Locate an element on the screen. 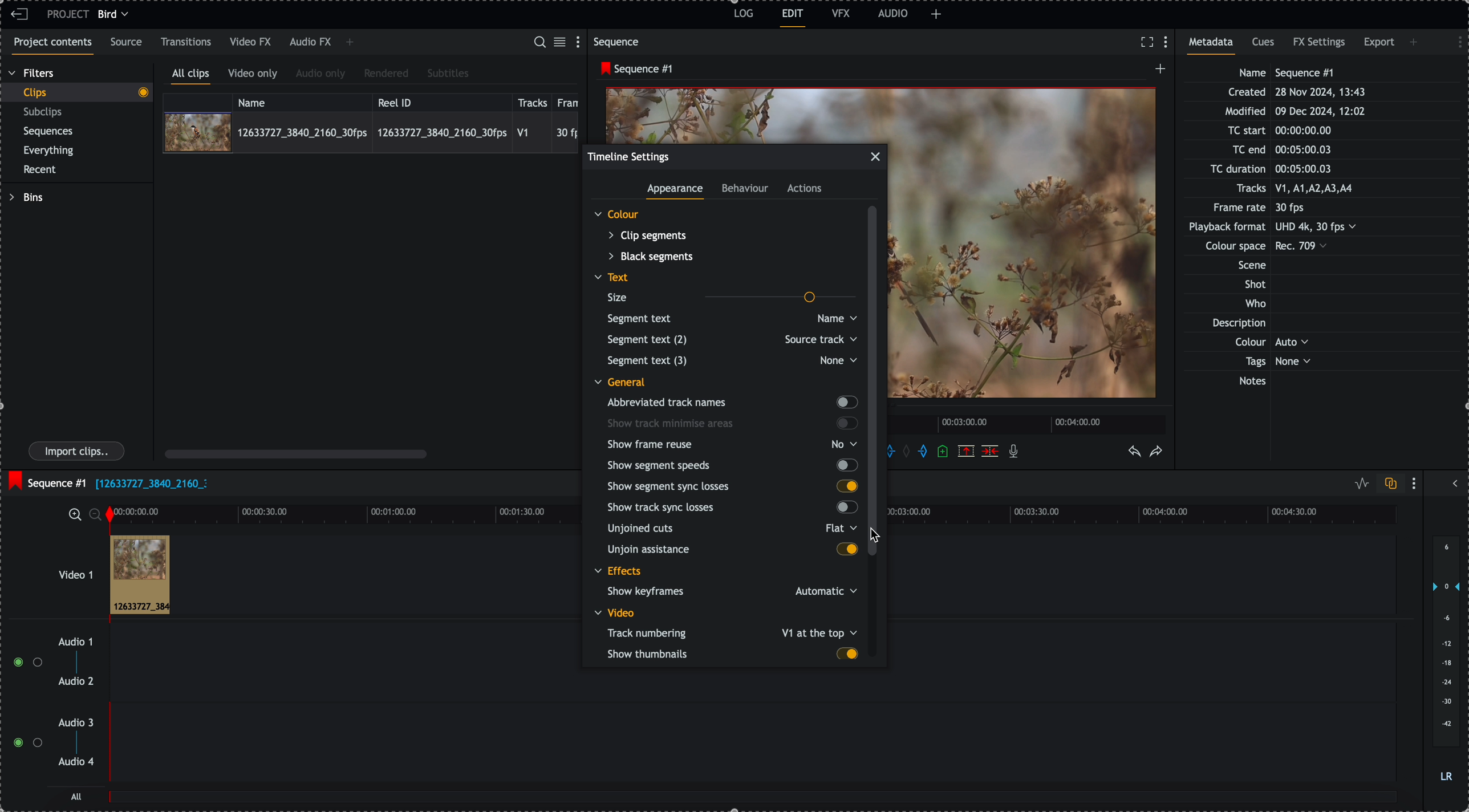 The image size is (1469, 812). clip segments is located at coordinates (649, 235).